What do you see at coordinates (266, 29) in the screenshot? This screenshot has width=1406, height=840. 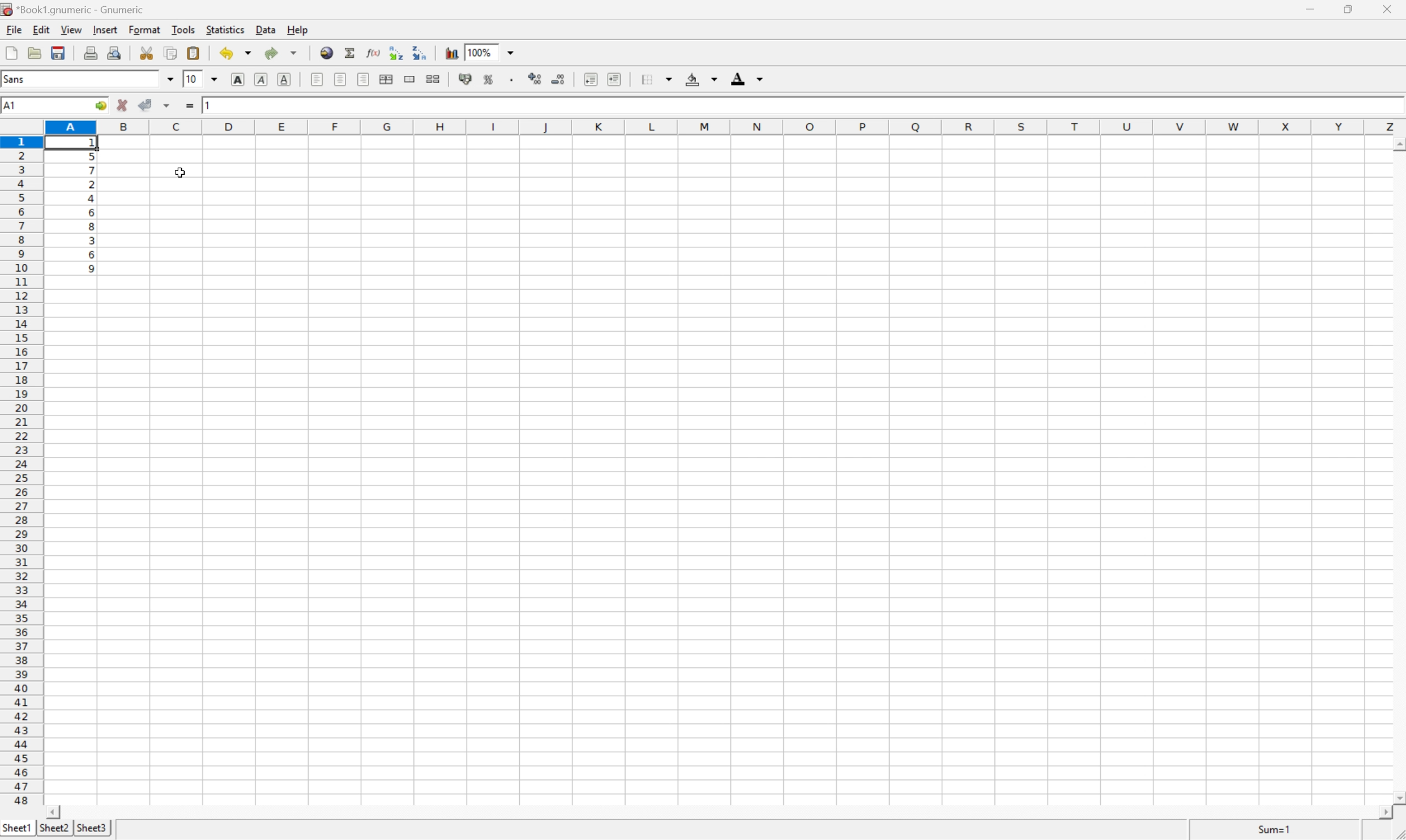 I see `data` at bounding box center [266, 29].